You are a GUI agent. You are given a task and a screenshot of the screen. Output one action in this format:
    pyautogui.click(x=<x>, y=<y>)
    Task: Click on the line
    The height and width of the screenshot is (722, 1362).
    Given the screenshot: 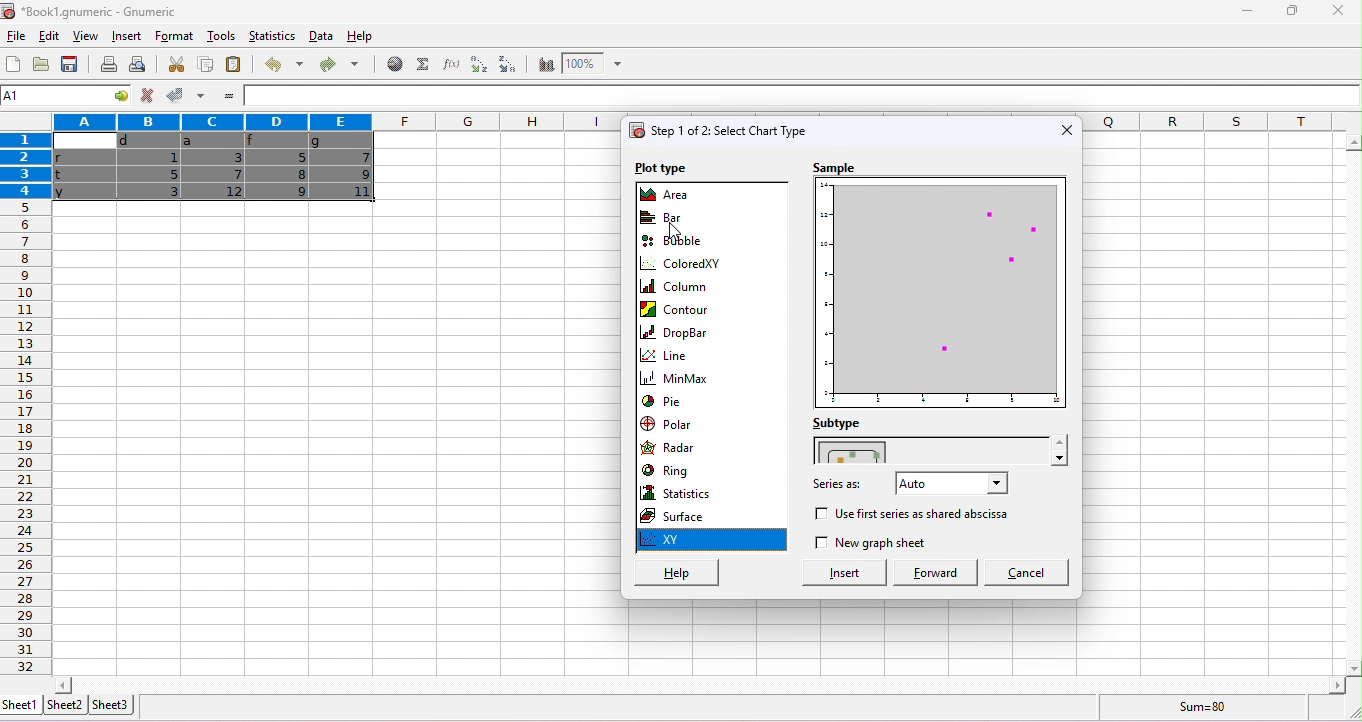 What is the action you would take?
    pyautogui.click(x=677, y=358)
    